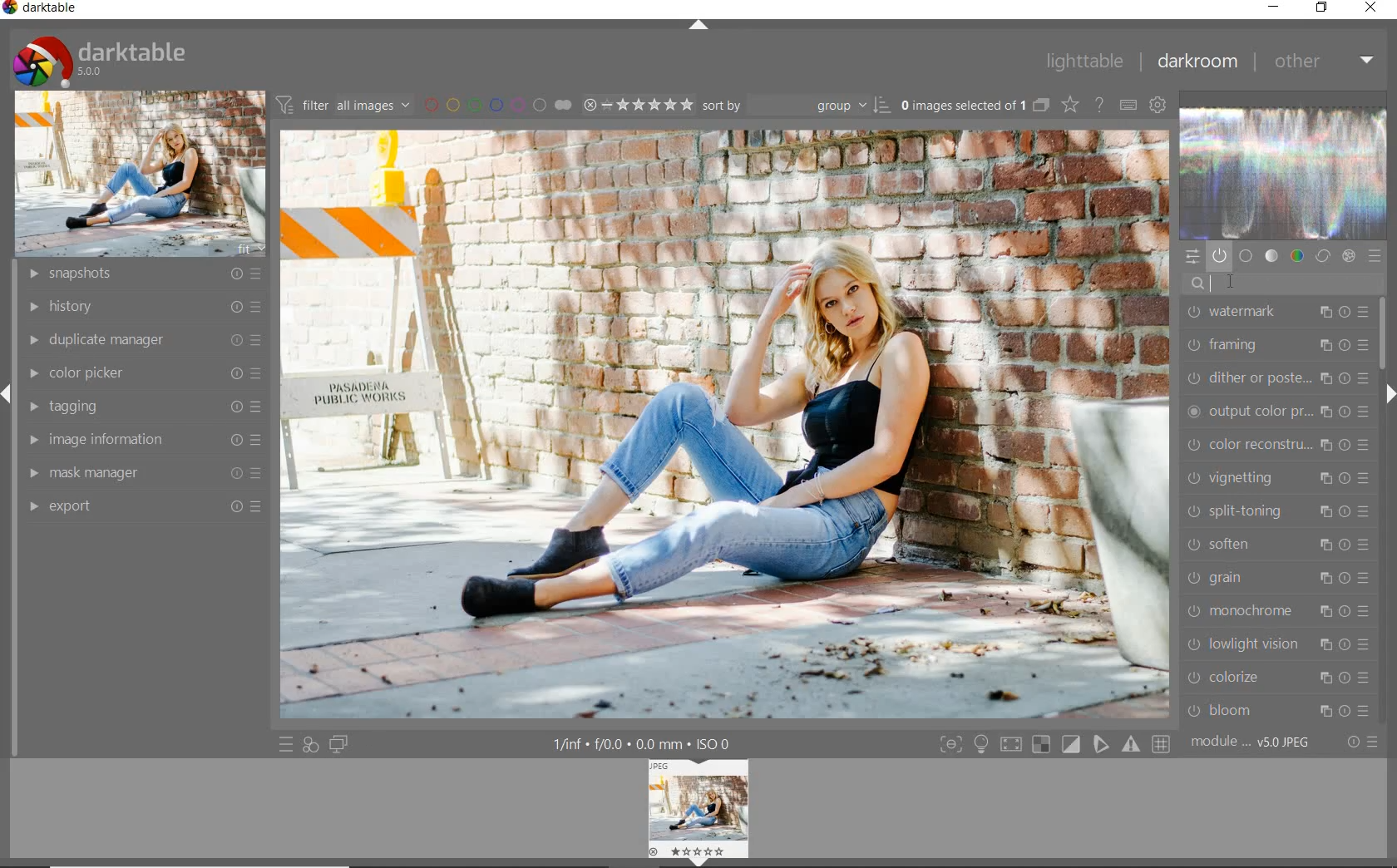 The image size is (1397, 868). I want to click on display a second darkroom image widow, so click(340, 744).